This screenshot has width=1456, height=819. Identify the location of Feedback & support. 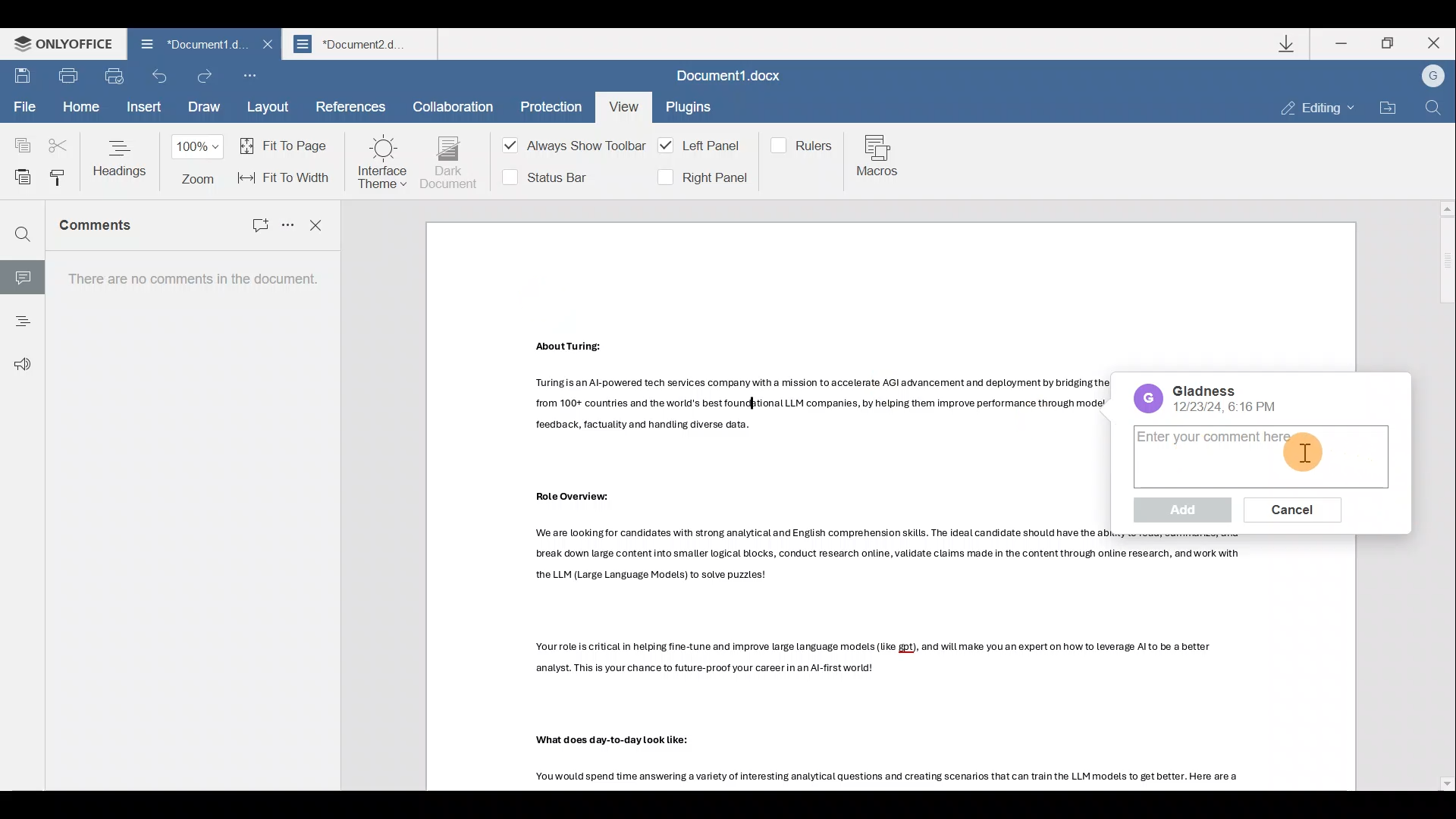
(17, 356).